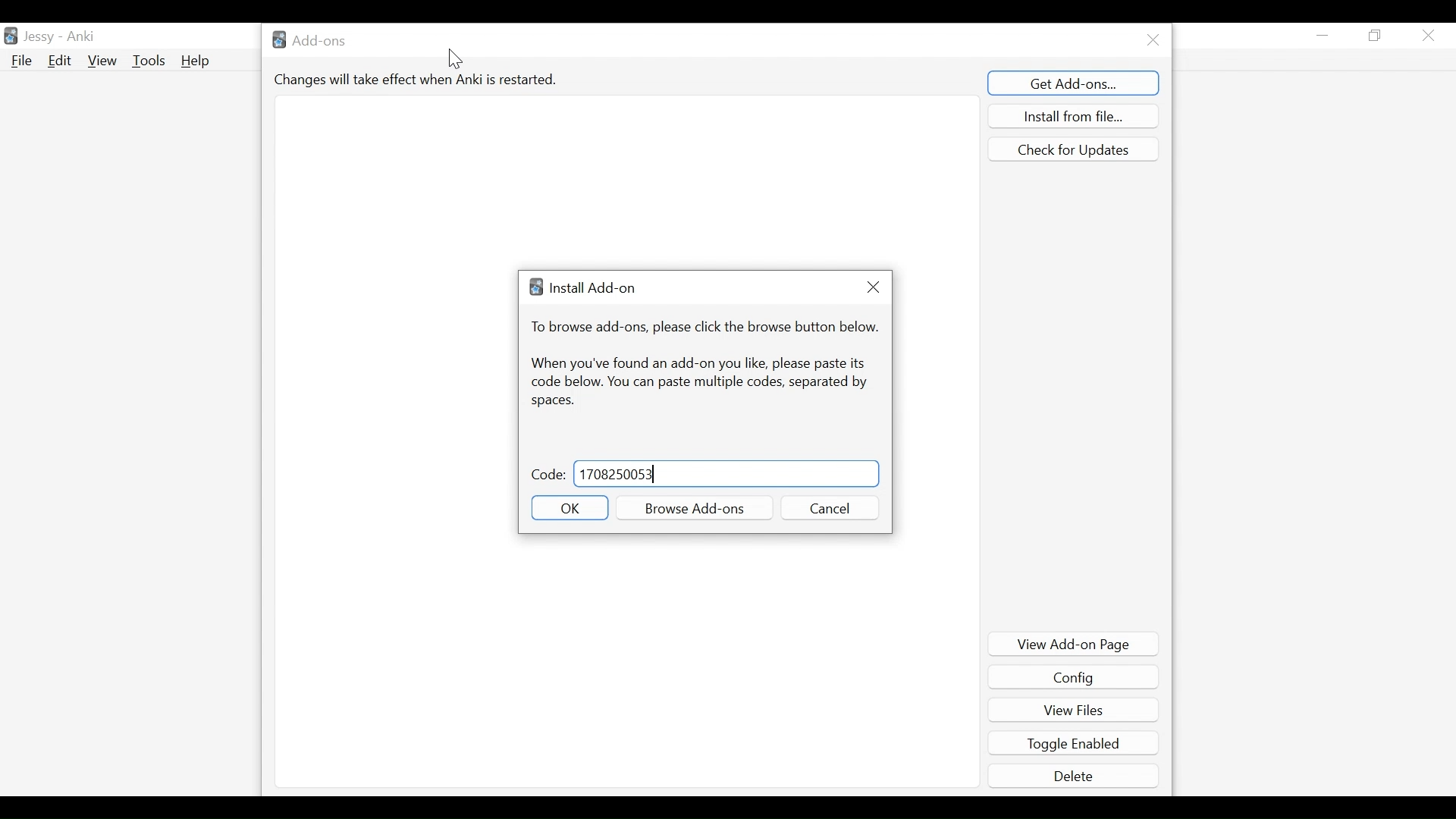  What do you see at coordinates (582, 287) in the screenshot?
I see `Install Add-on` at bounding box center [582, 287].